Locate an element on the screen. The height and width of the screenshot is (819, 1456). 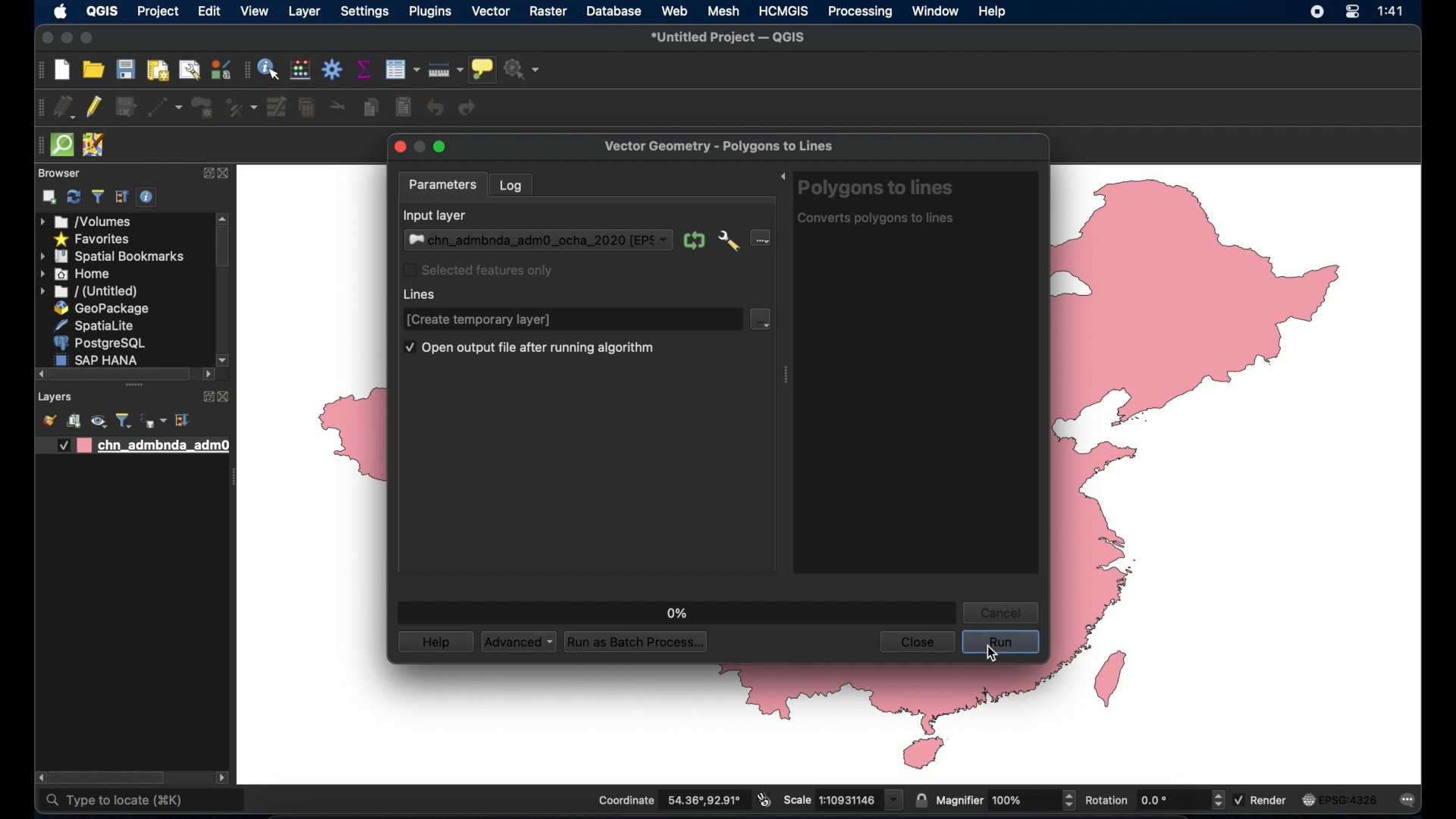
lock scale is located at coordinates (920, 799).